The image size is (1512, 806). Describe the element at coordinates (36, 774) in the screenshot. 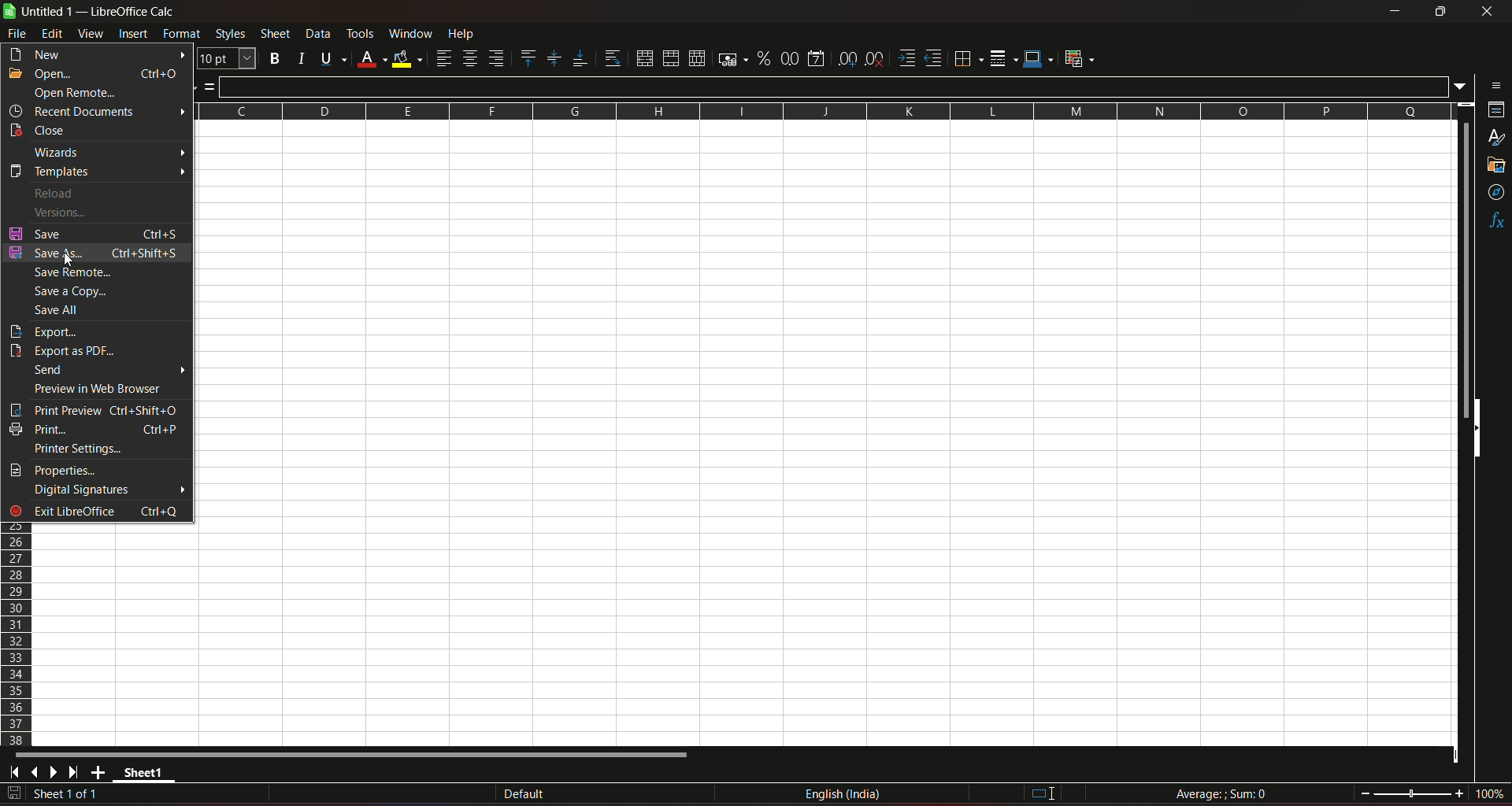

I see `previous sheet` at that location.